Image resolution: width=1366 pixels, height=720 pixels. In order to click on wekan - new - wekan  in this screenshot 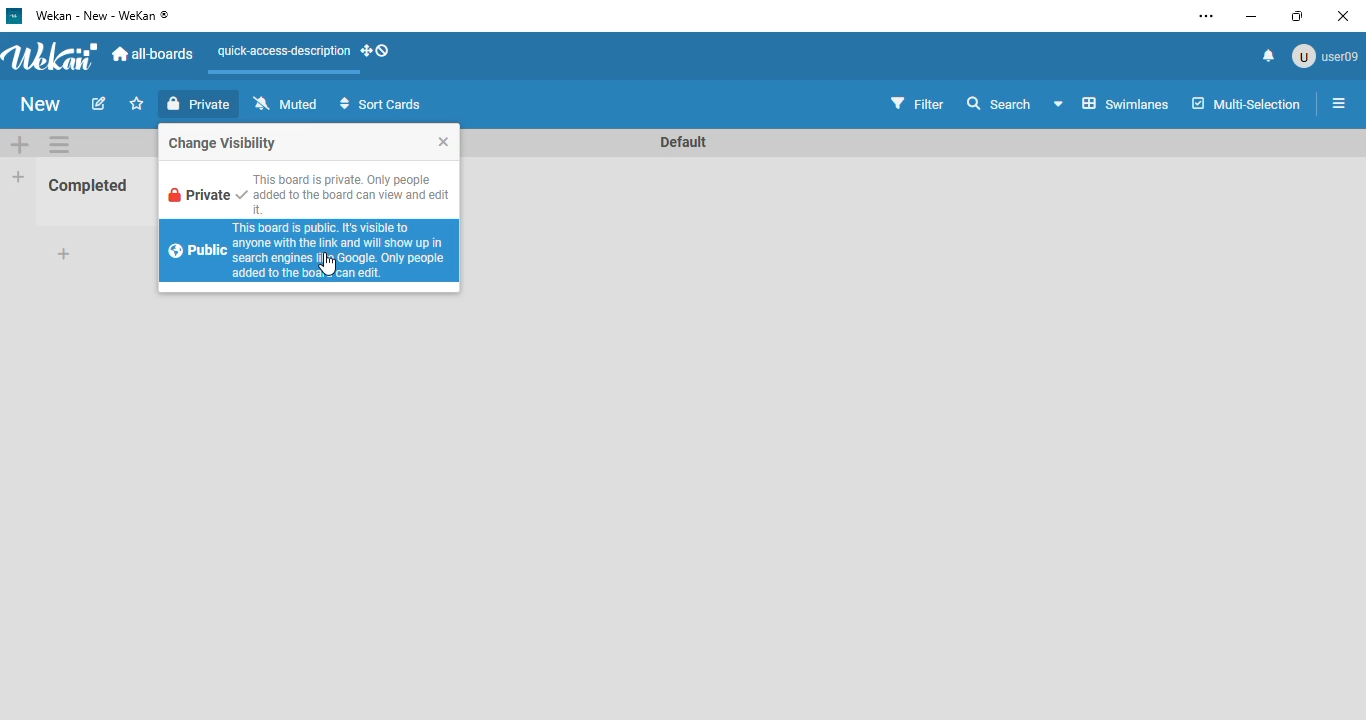, I will do `click(103, 14)`.